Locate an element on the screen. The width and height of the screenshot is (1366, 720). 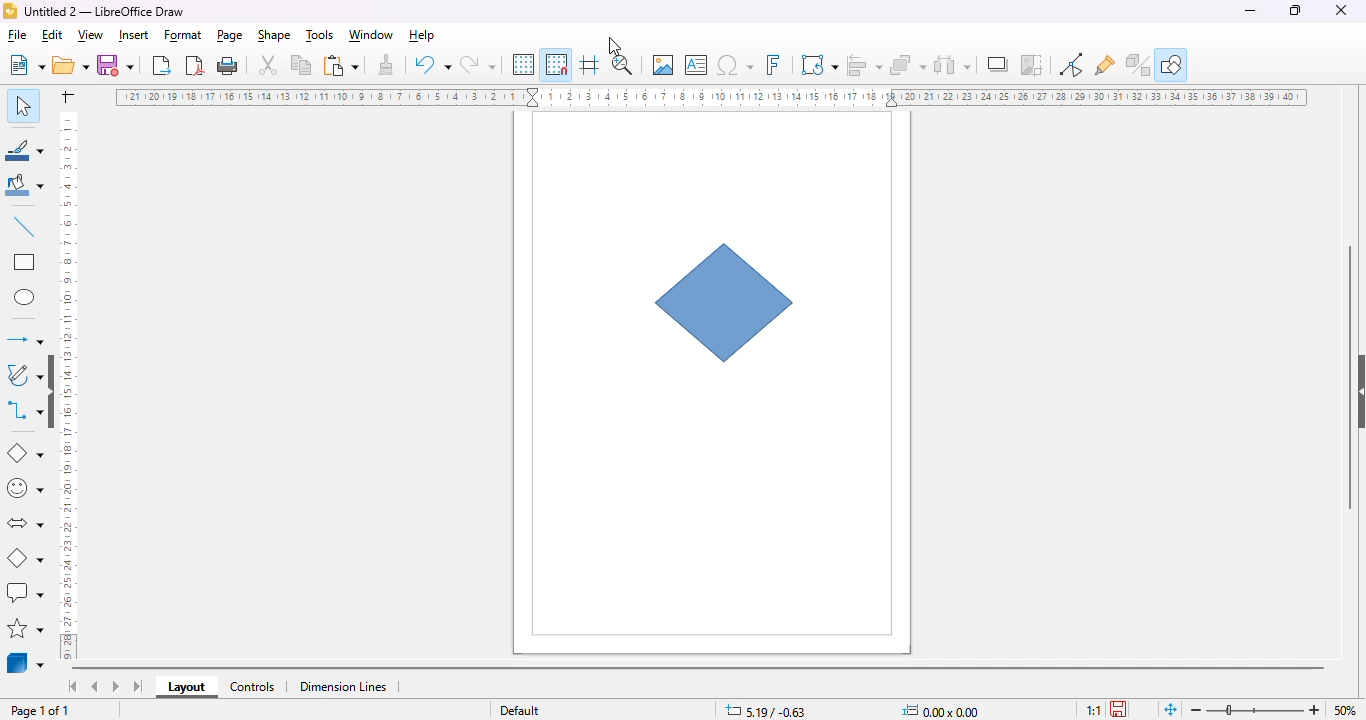
show draw functions is located at coordinates (1171, 64).